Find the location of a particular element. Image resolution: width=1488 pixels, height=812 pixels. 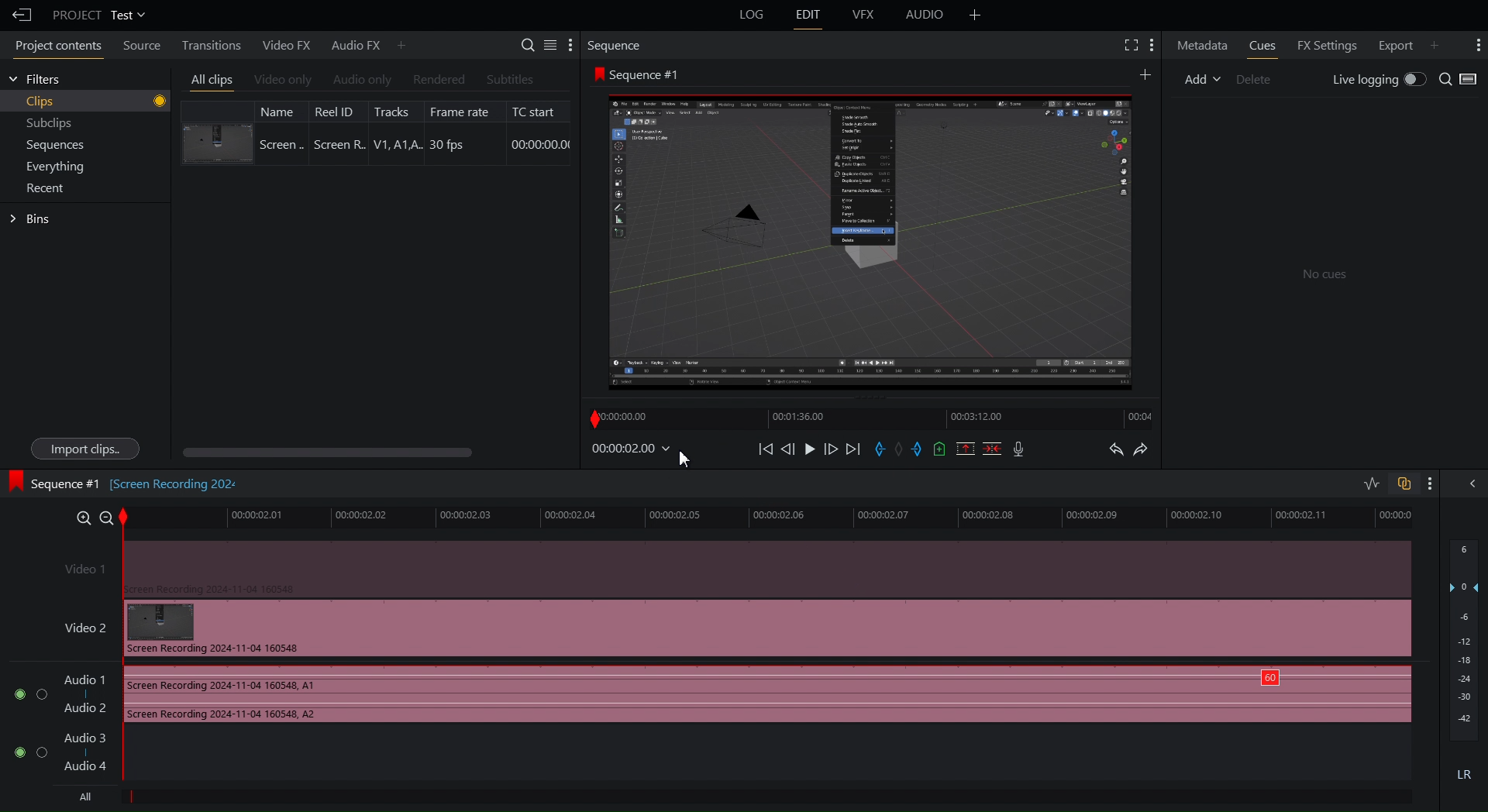

Collapse is located at coordinates (1469, 483).